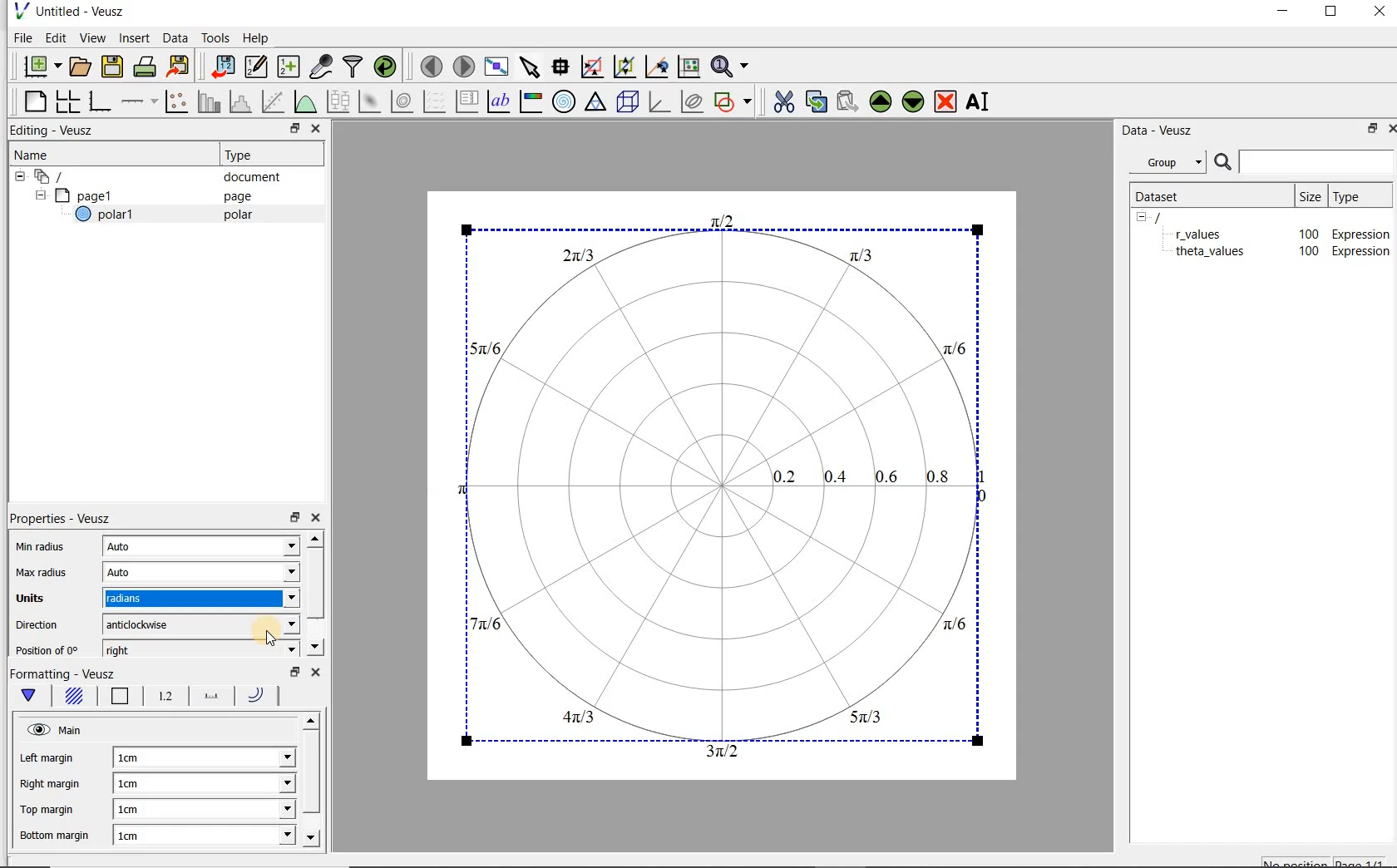 This screenshot has height=868, width=1397. I want to click on restore down, so click(292, 670).